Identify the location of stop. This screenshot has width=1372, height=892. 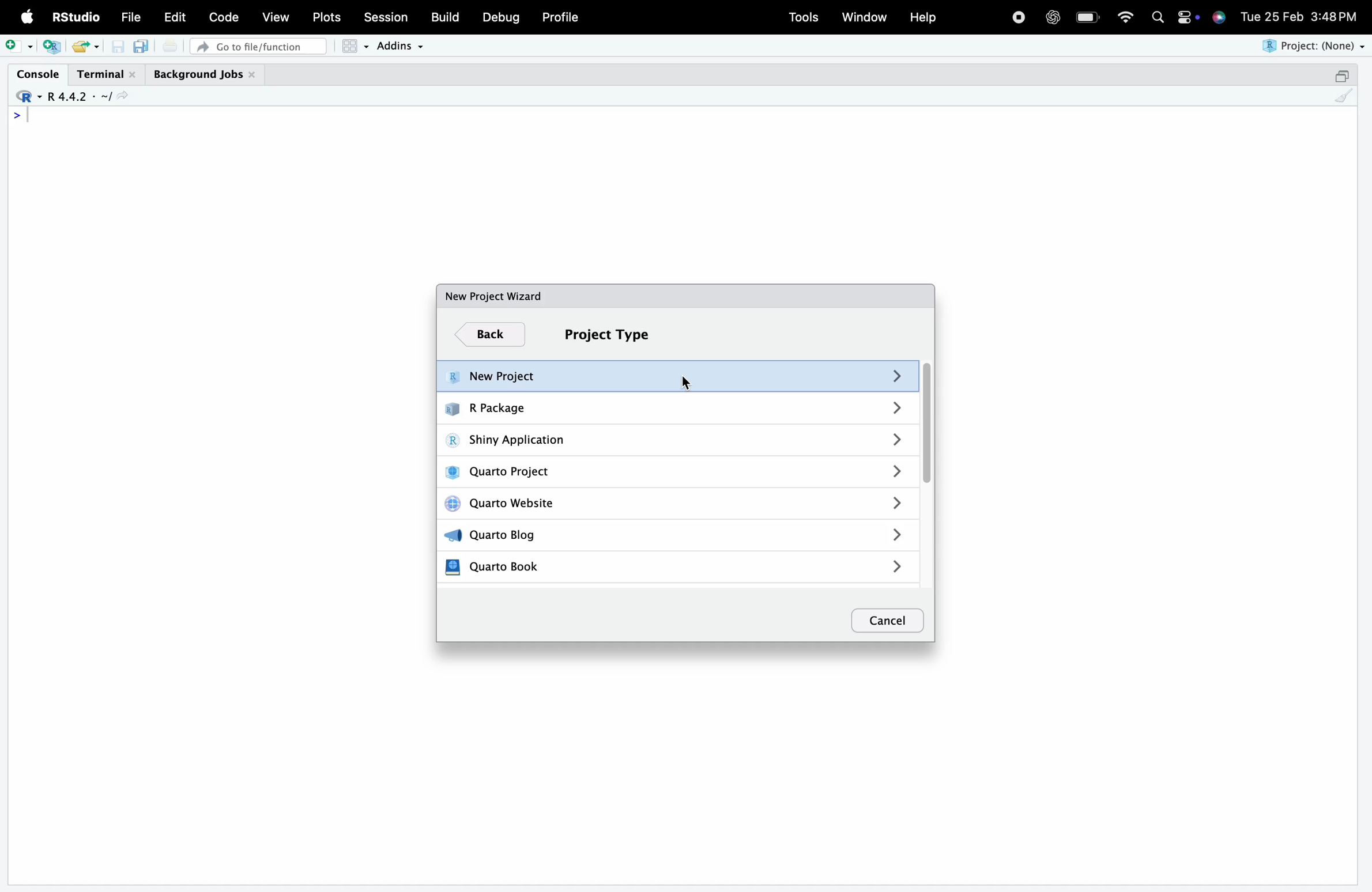
(1018, 16).